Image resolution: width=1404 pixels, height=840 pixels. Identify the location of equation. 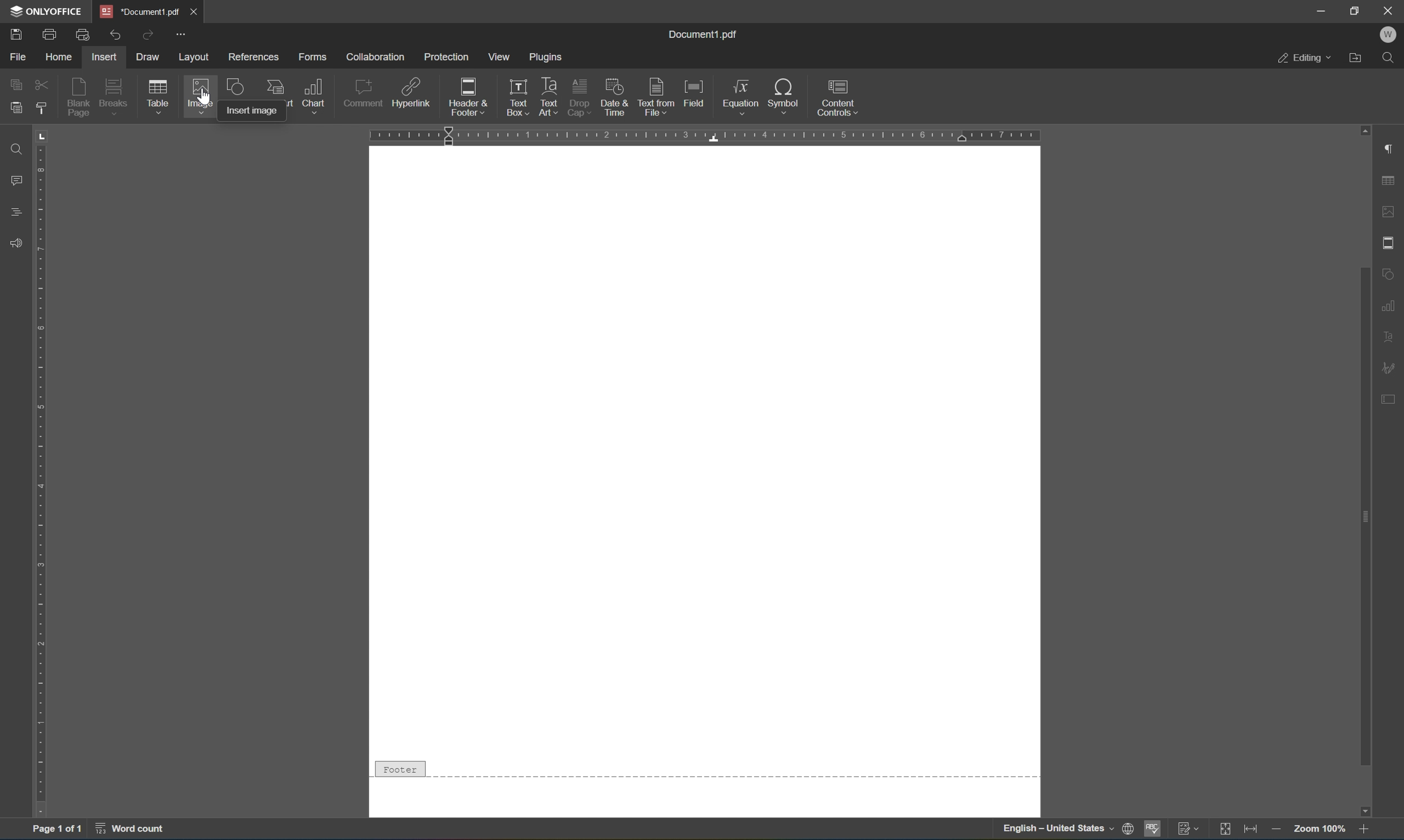
(742, 96).